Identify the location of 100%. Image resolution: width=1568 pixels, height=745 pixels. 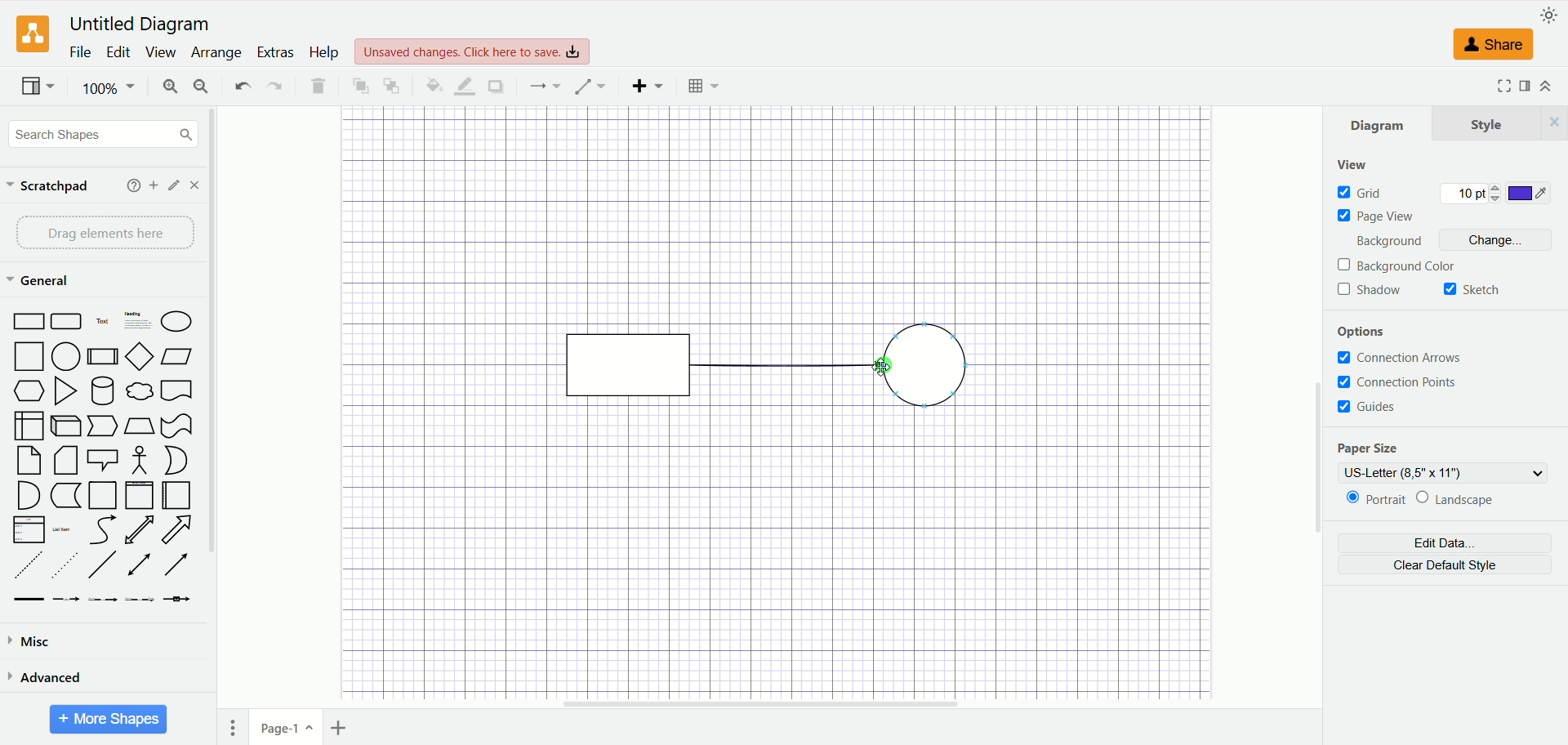
(109, 87).